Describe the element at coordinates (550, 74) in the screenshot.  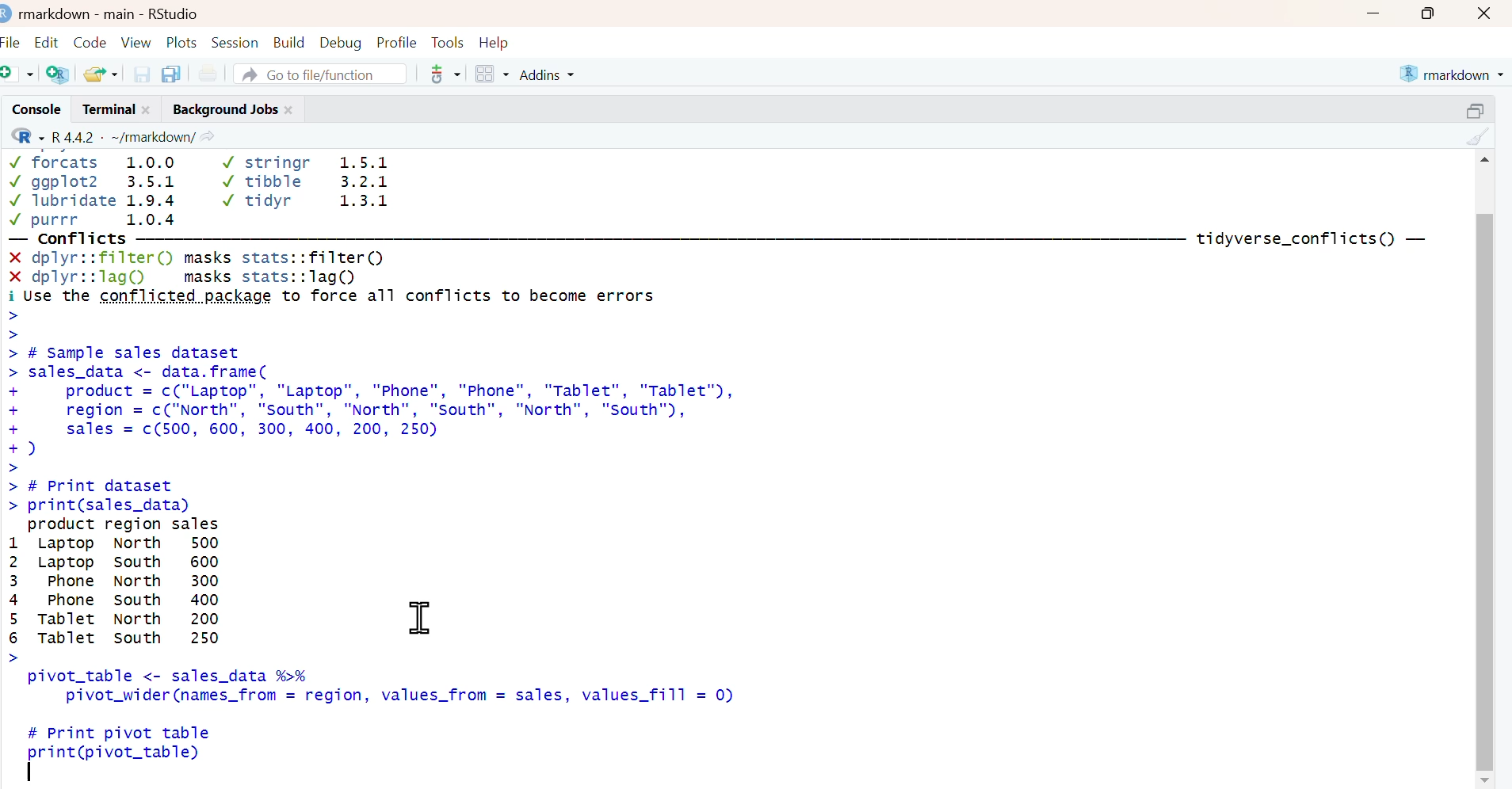
I see `Addins` at that location.